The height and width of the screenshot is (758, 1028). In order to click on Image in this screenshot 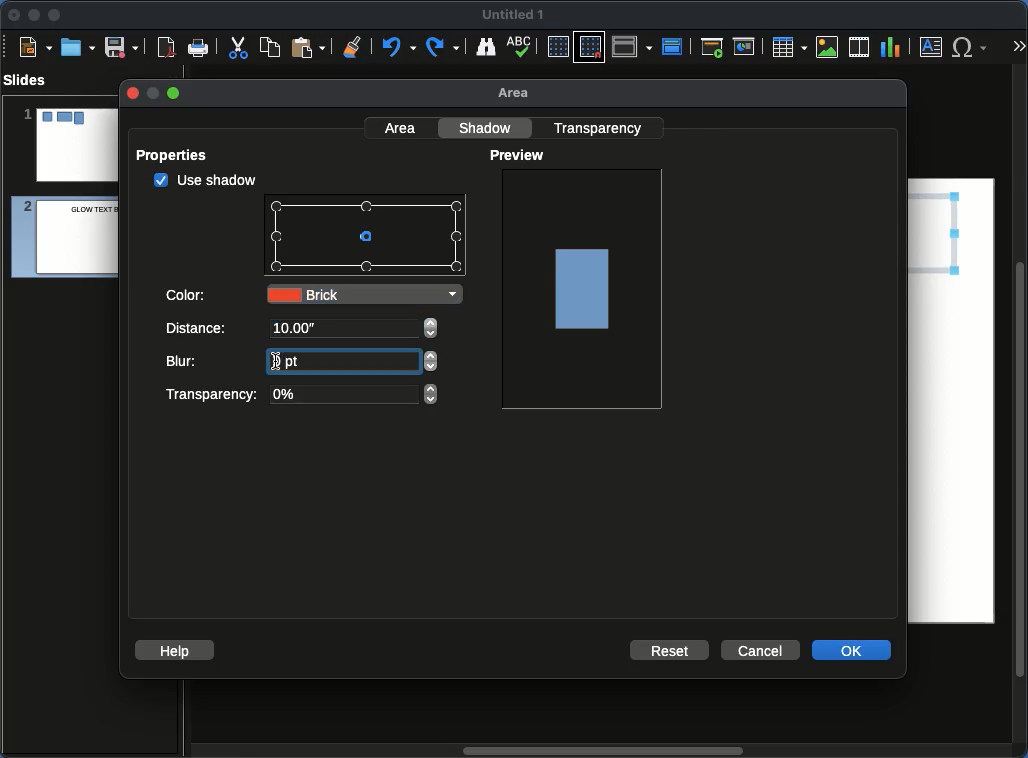, I will do `click(828, 47)`.